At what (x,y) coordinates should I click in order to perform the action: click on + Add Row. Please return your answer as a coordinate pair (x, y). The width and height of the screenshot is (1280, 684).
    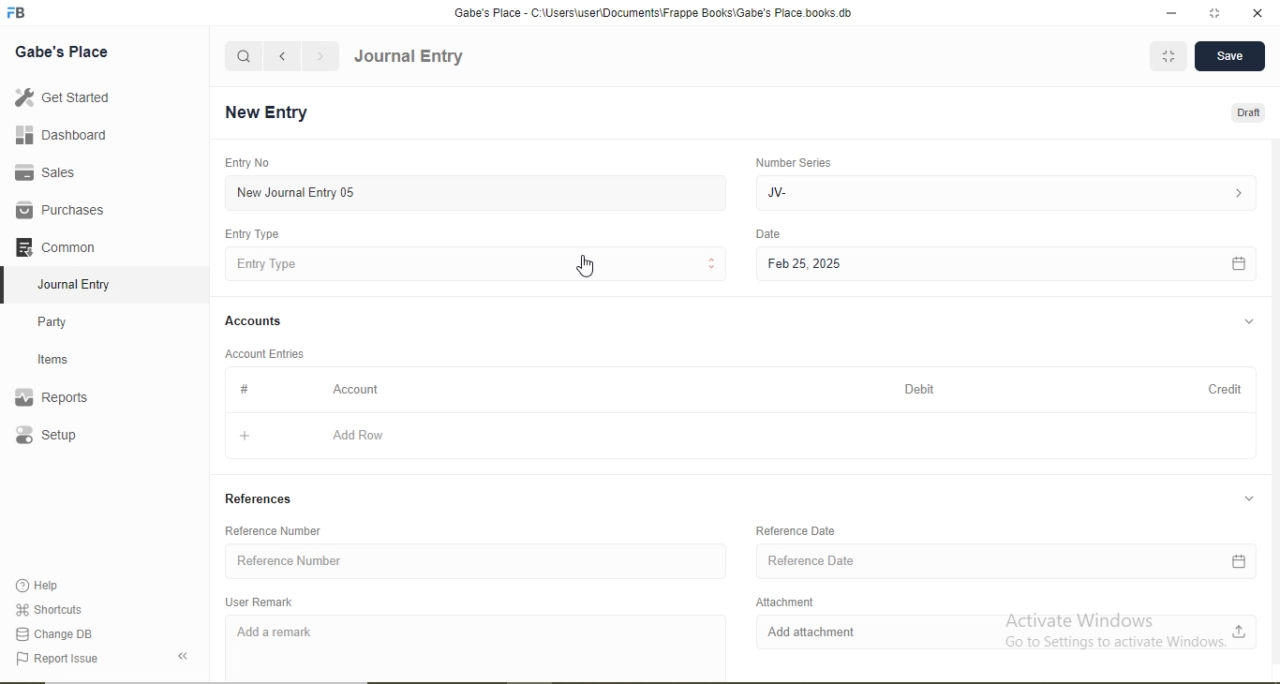
    Looking at the image, I should click on (738, 437).